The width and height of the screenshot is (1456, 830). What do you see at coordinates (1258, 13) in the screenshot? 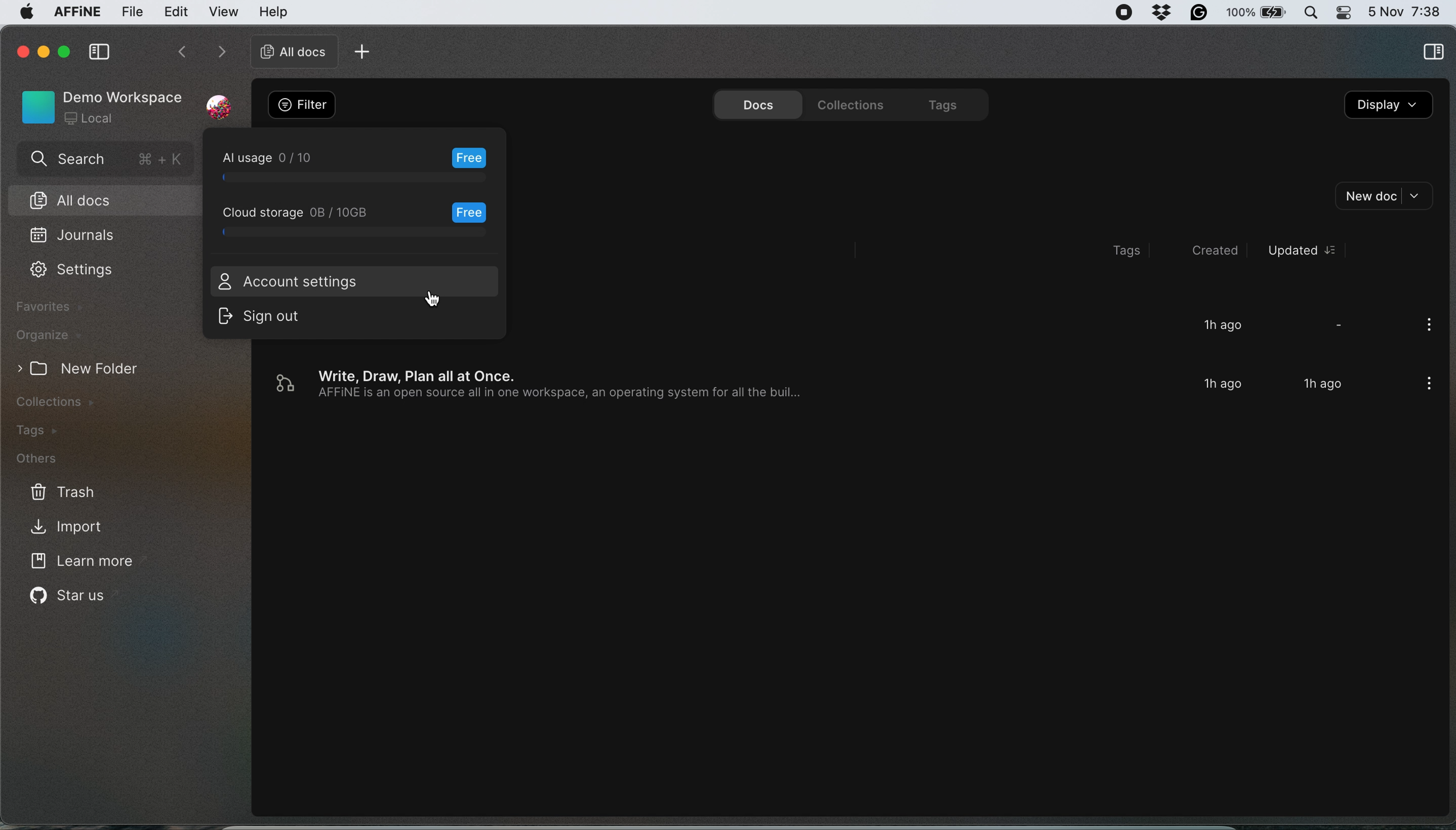
I see `battery` at bounding box center [1258, 13].